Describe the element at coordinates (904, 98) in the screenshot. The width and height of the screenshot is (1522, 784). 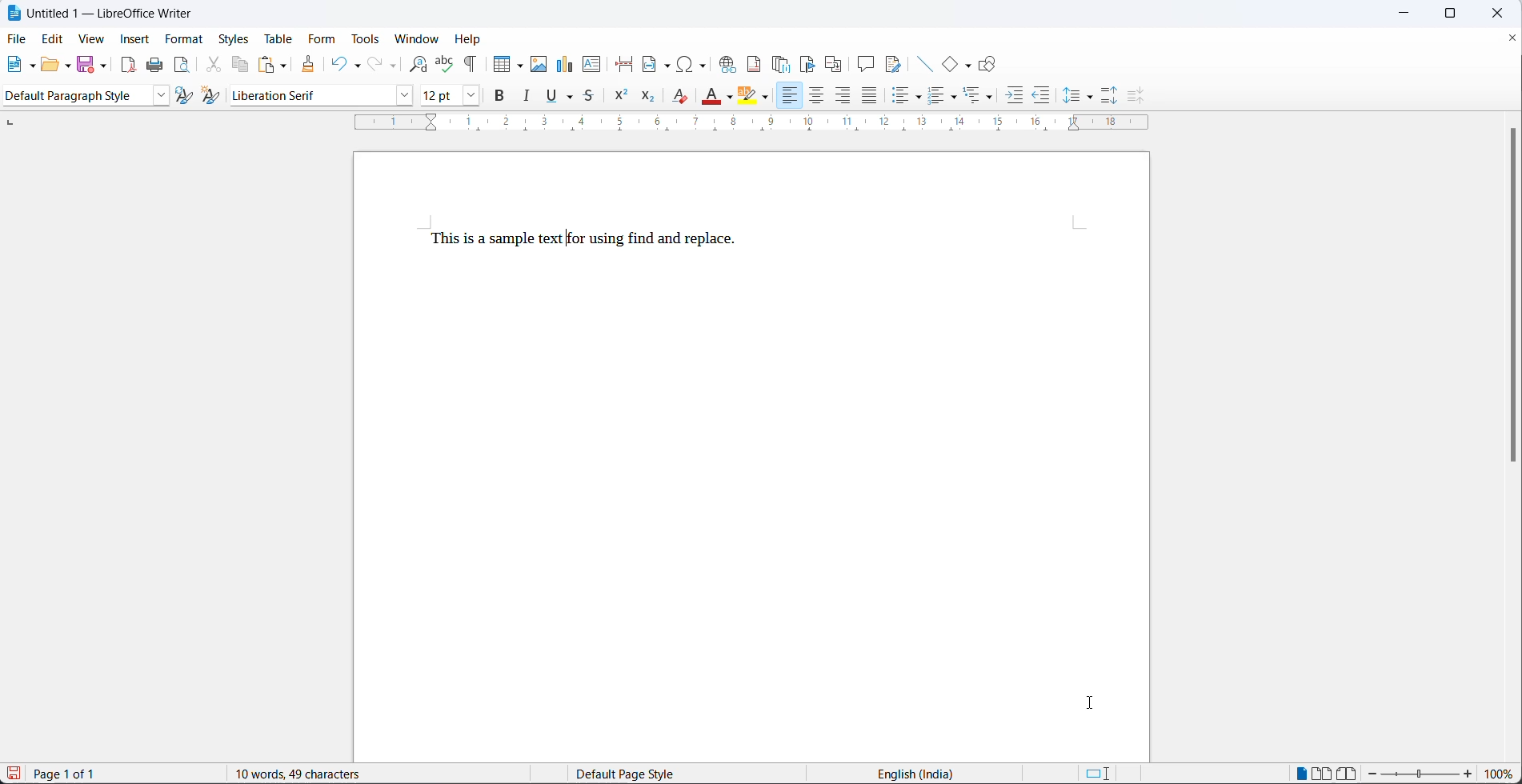
I see `toggle unordered list` at that location.